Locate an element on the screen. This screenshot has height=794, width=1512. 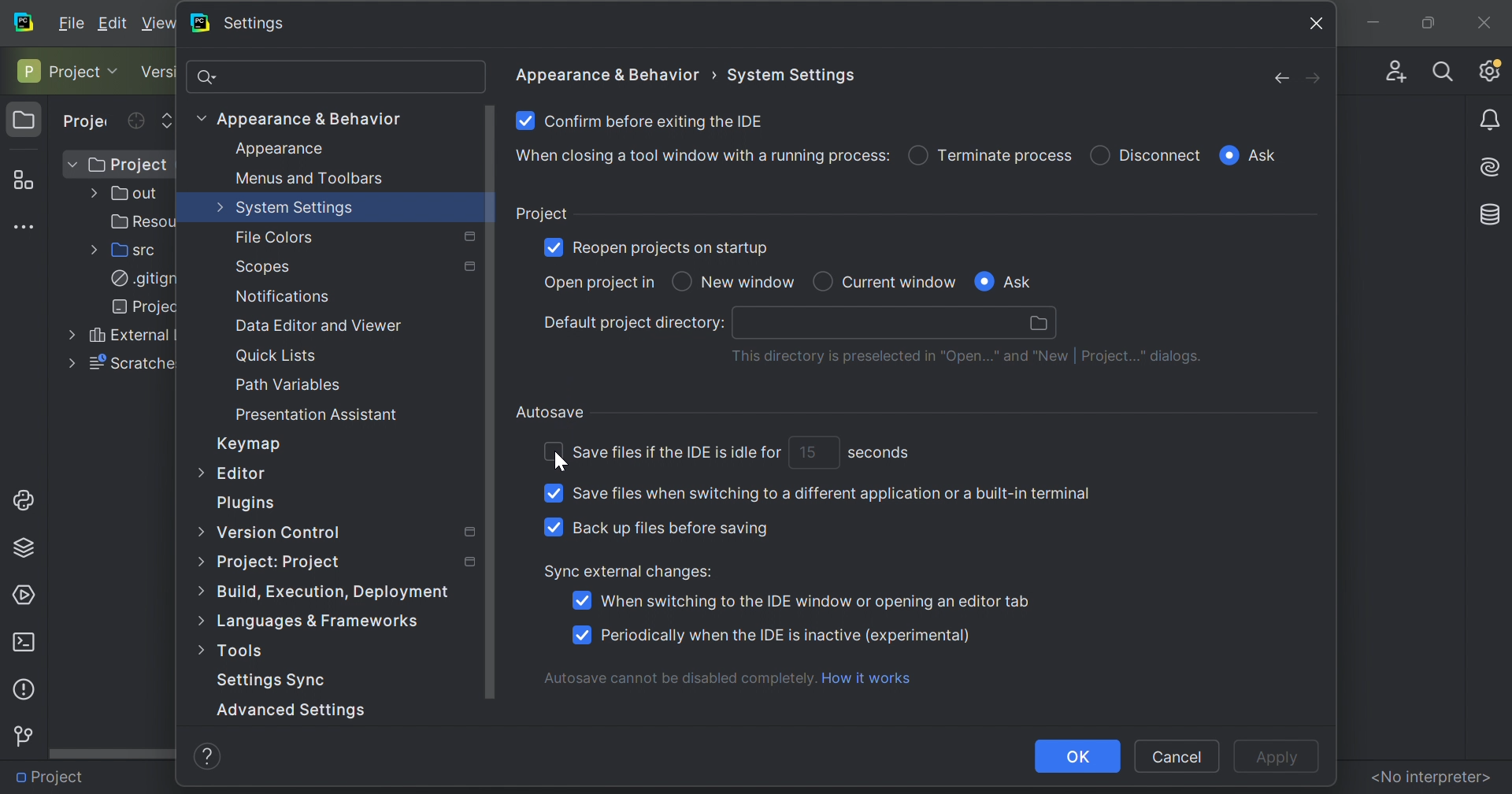
Default project directory: is located at coordinates (633, 323).